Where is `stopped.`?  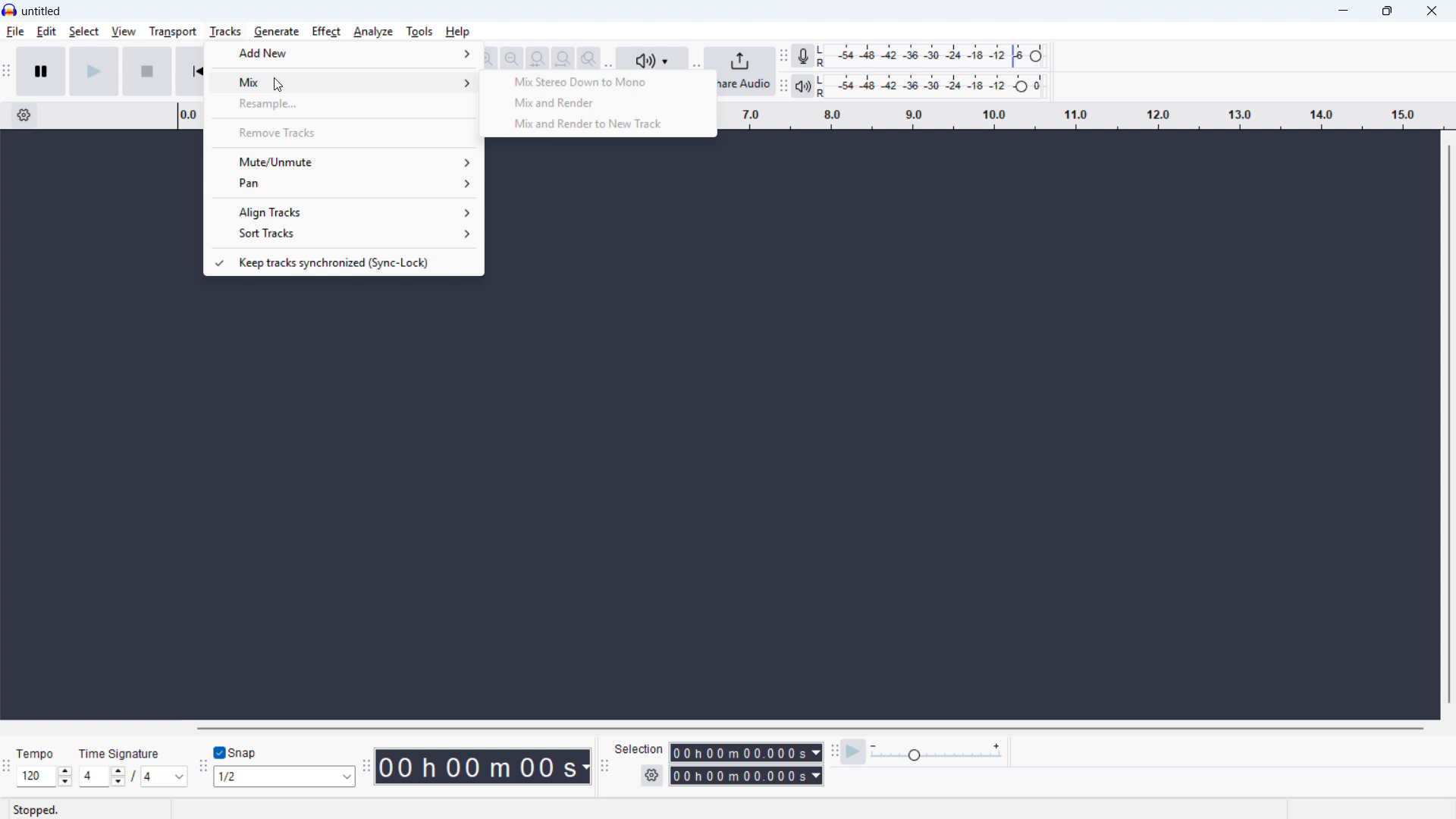 stopped. is located at coordinates (36, 810).